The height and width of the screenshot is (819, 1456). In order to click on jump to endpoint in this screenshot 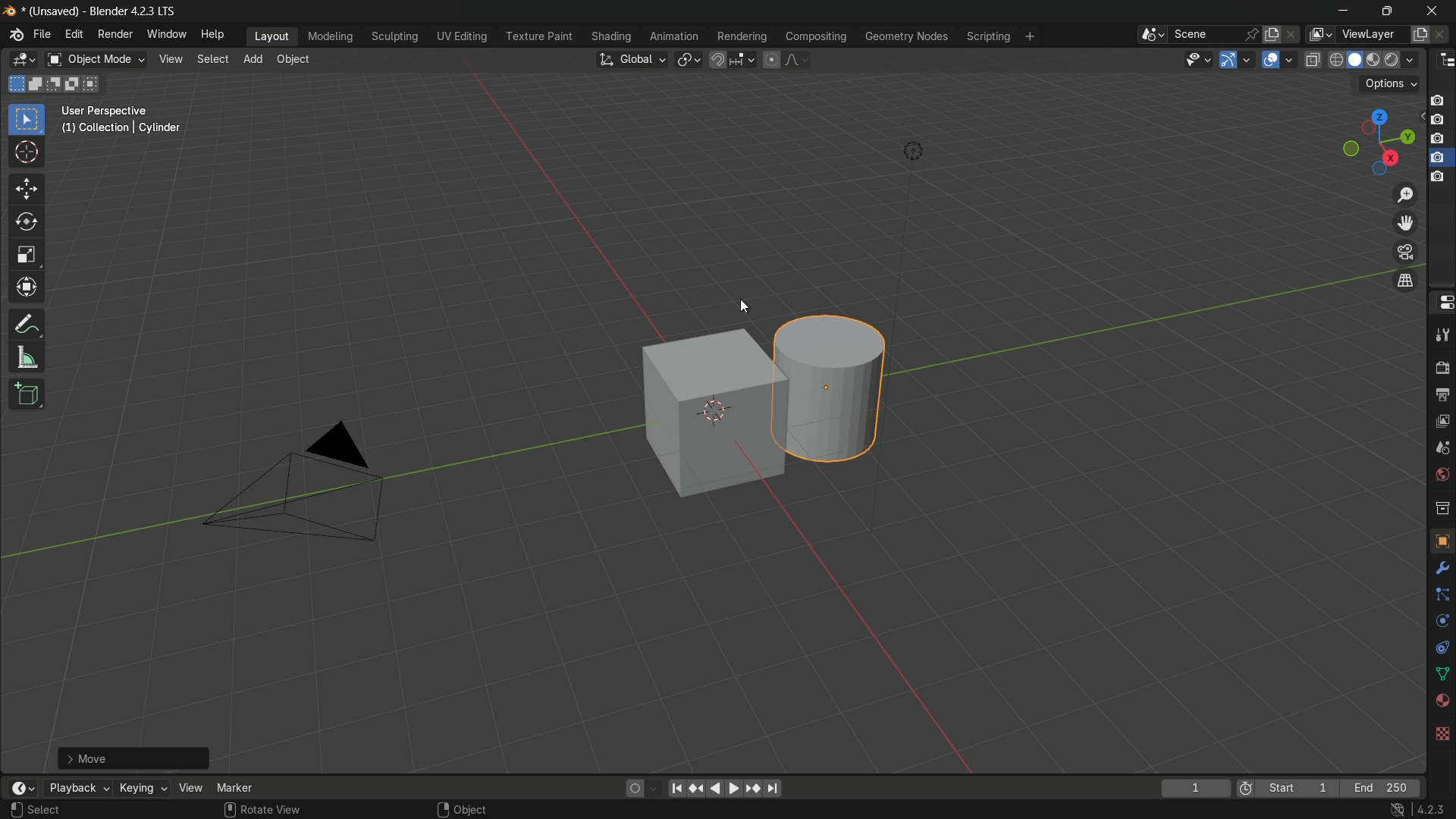, I will do `click(772, 789)`.